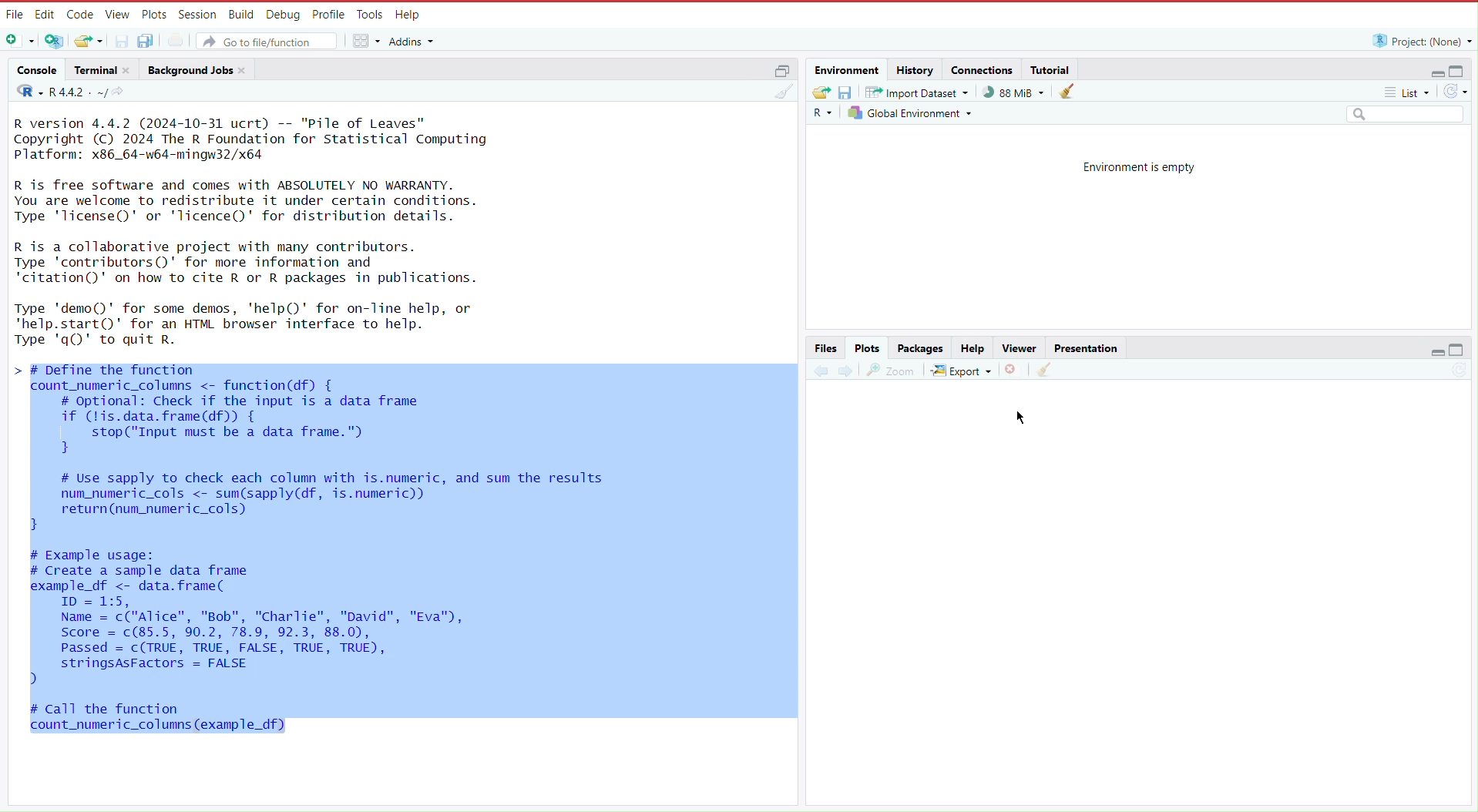  I want to click on Packages, so click(922, 348).